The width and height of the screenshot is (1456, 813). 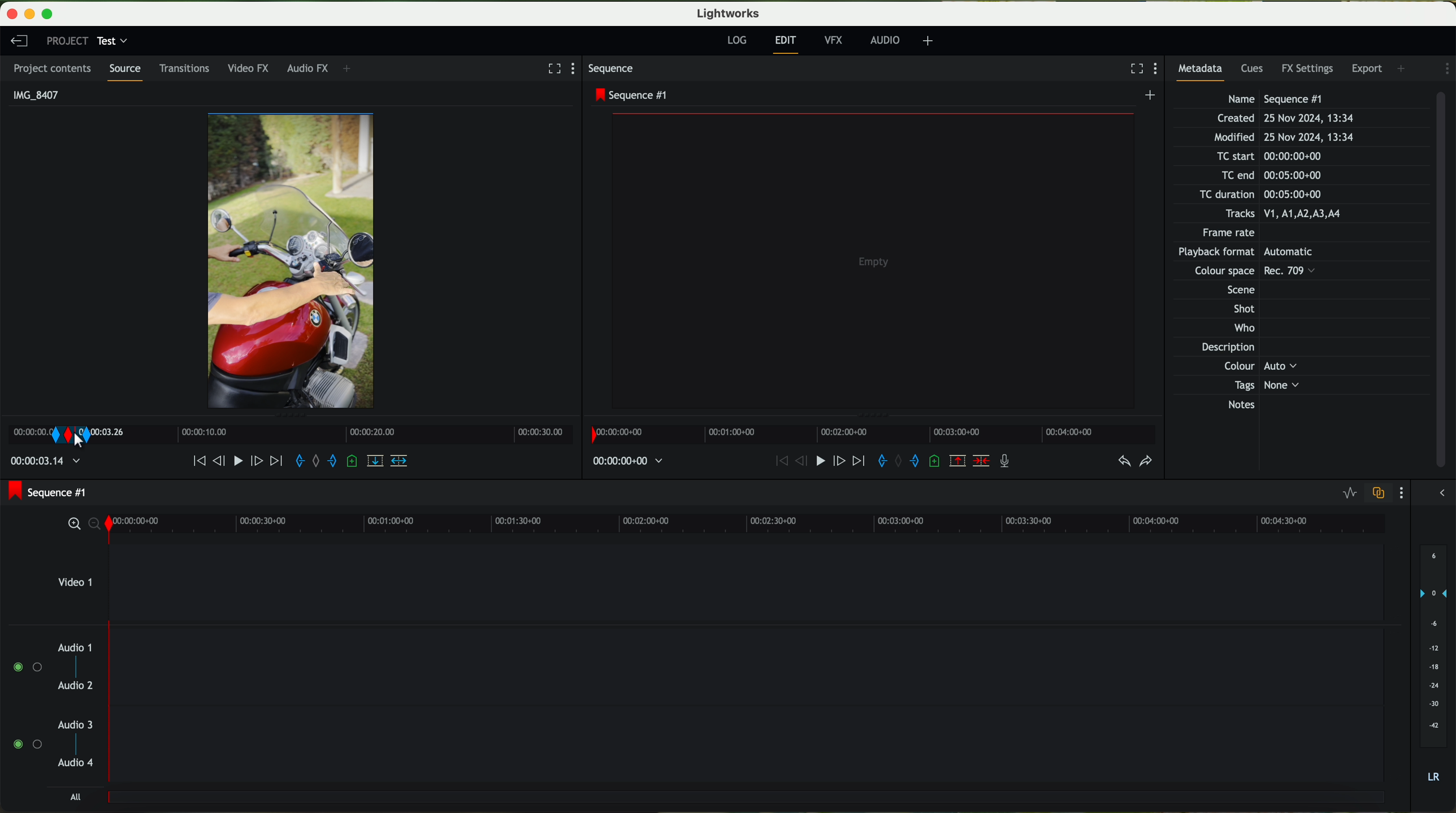 What do you see at coordinates (1446, 281) in the screenshot?
I see `scroll bar` at bounding box center [1446, 281].